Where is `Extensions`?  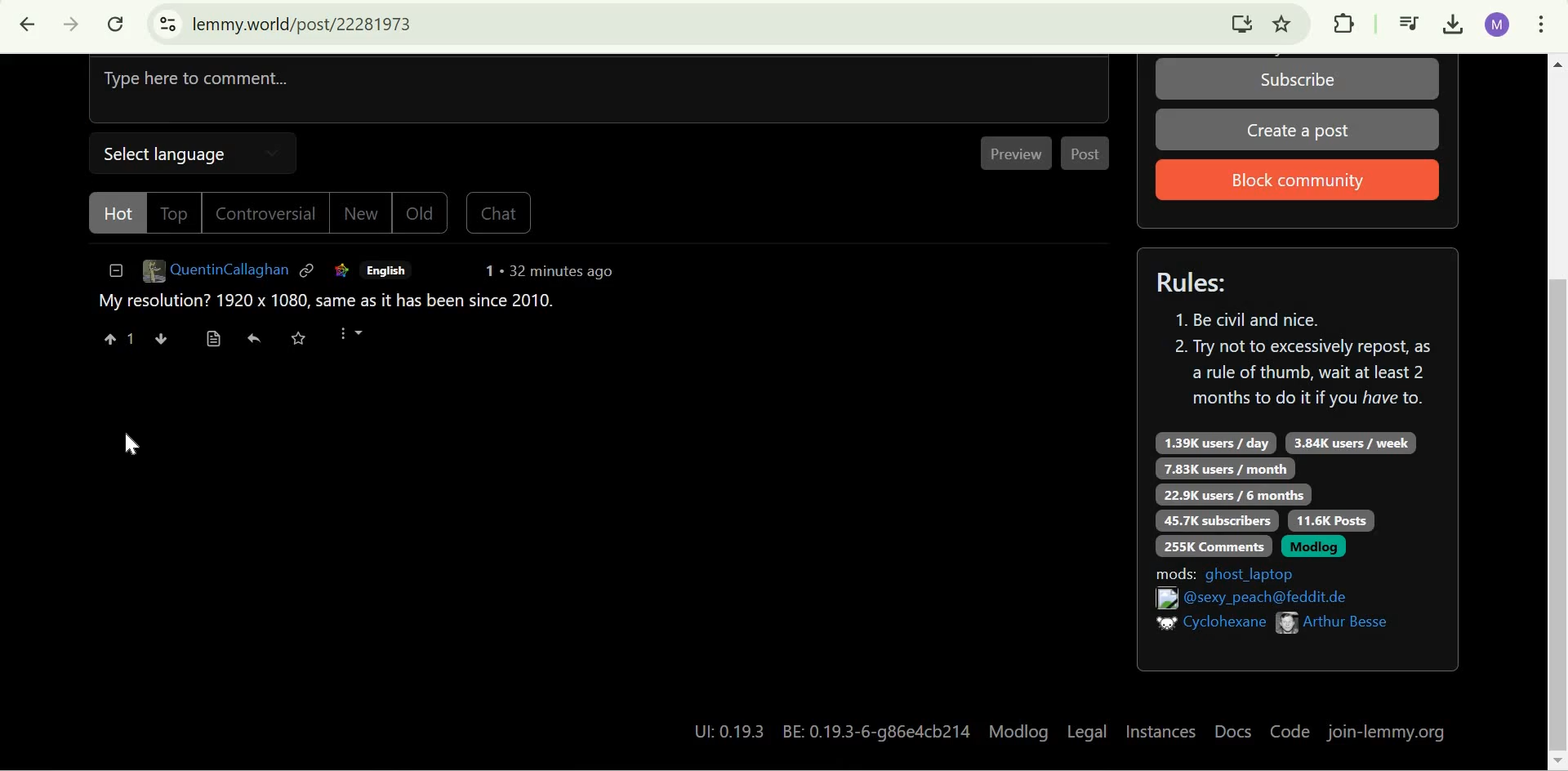
Extensions is located at coordinates (1343, 23).